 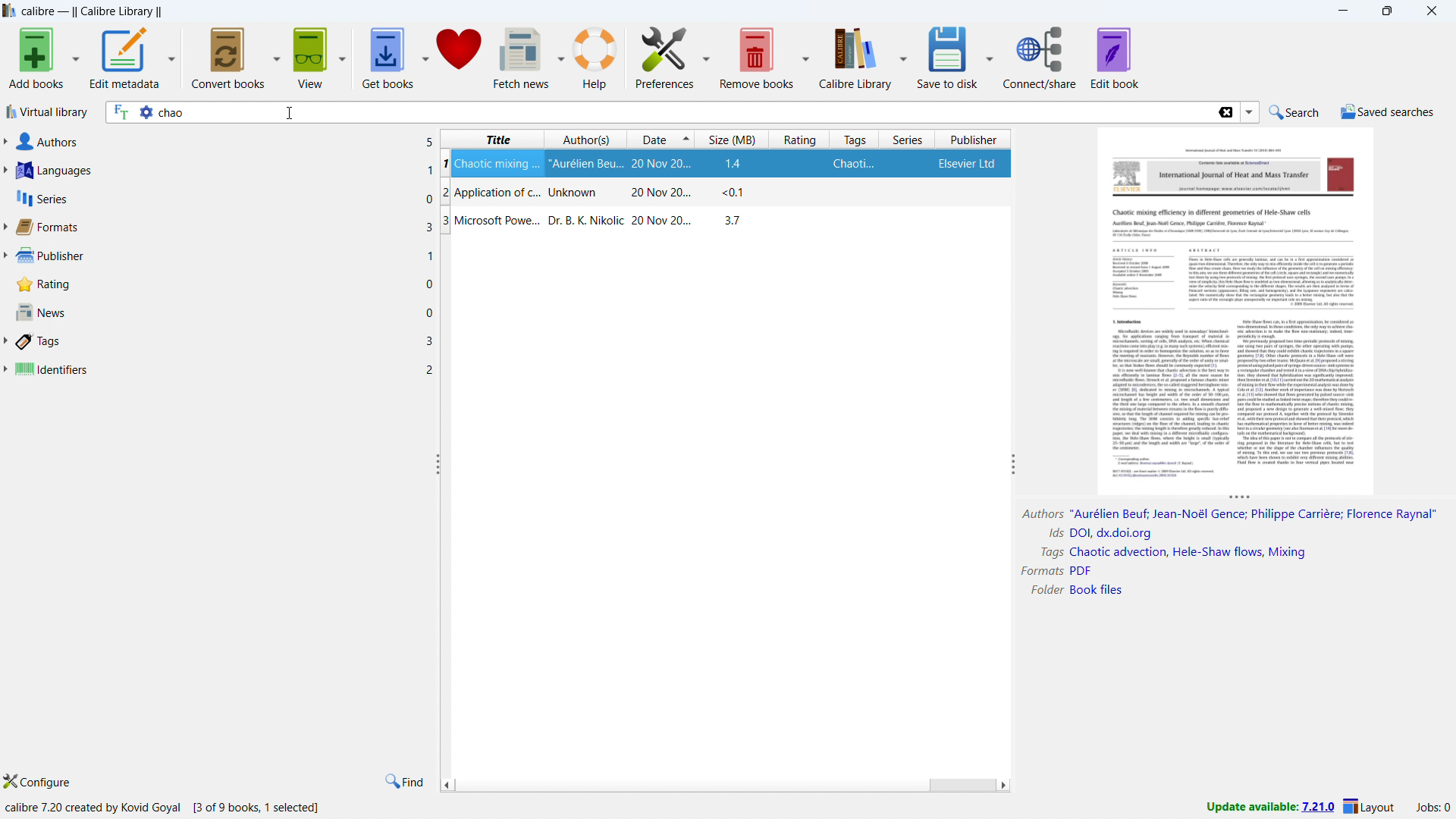 I want to click on scroll left, so click(x=447, y=786).